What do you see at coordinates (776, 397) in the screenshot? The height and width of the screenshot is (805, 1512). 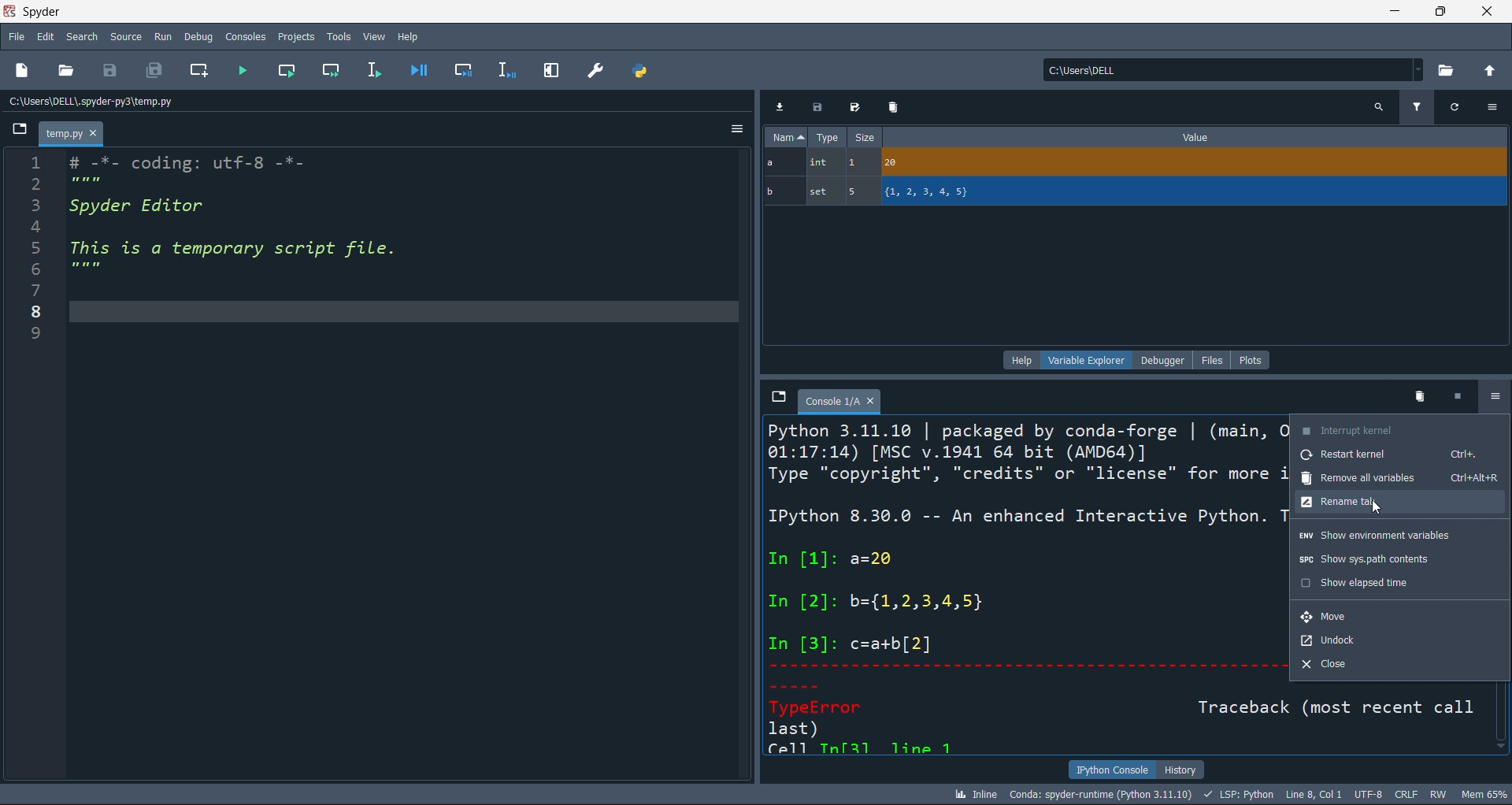 I see `browse tabs` at bounding box center [776, 397].